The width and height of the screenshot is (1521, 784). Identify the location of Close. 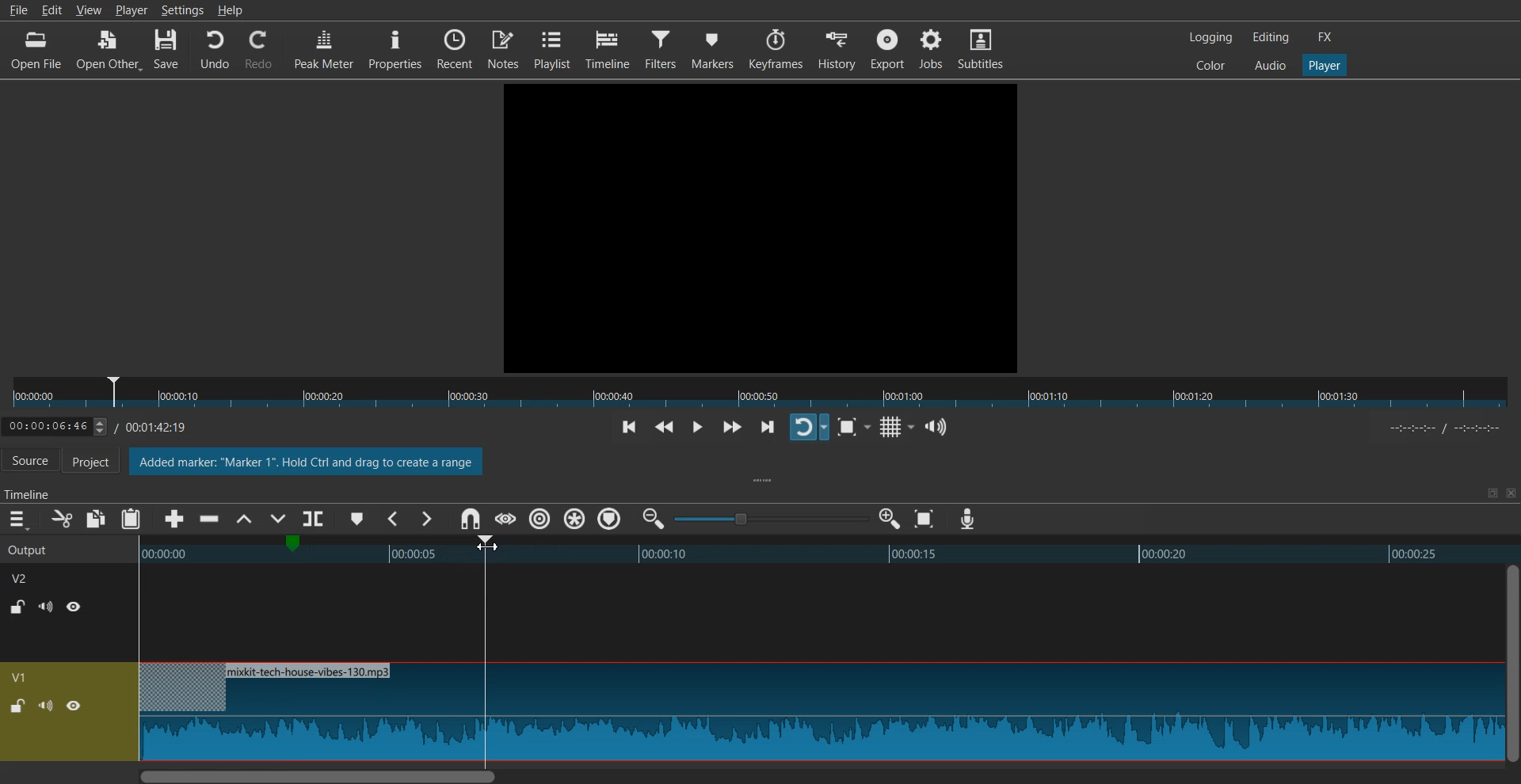
(1509, 493).